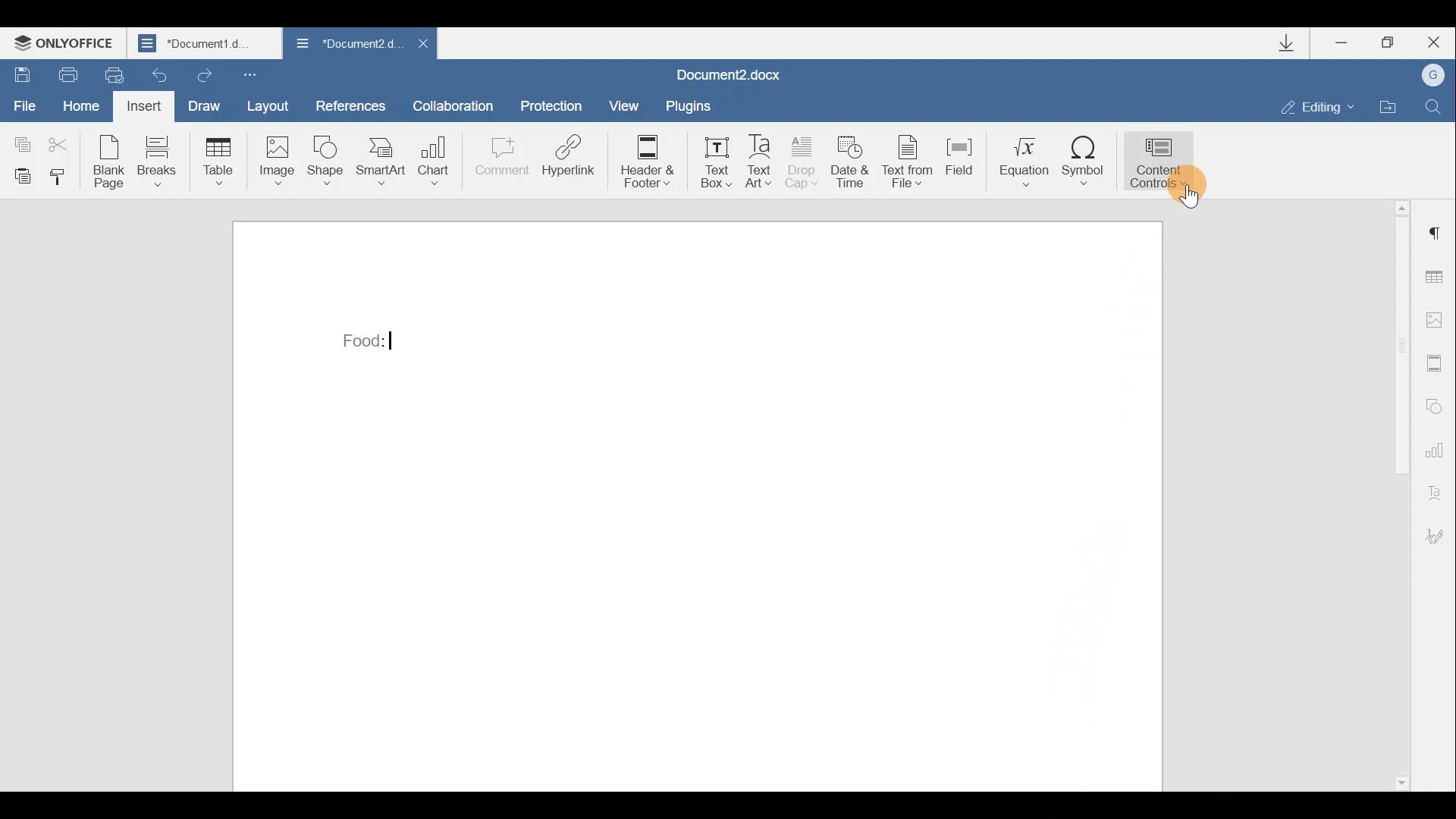  I want to click on File, so click(26, 104).